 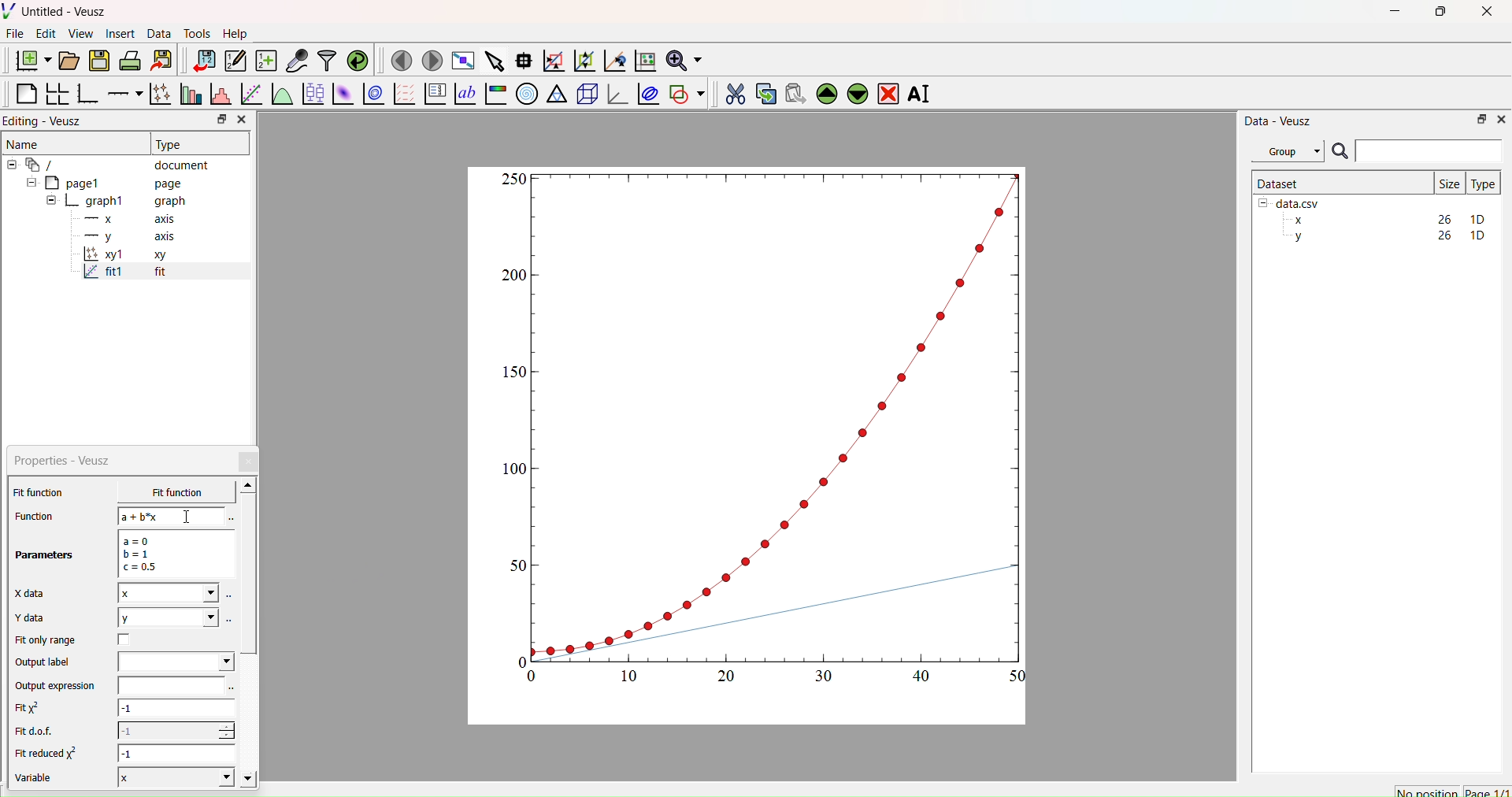 What do you see at coordinates (15, 33) in the screenshot?
I see `File` at bounding box center [15, 33].